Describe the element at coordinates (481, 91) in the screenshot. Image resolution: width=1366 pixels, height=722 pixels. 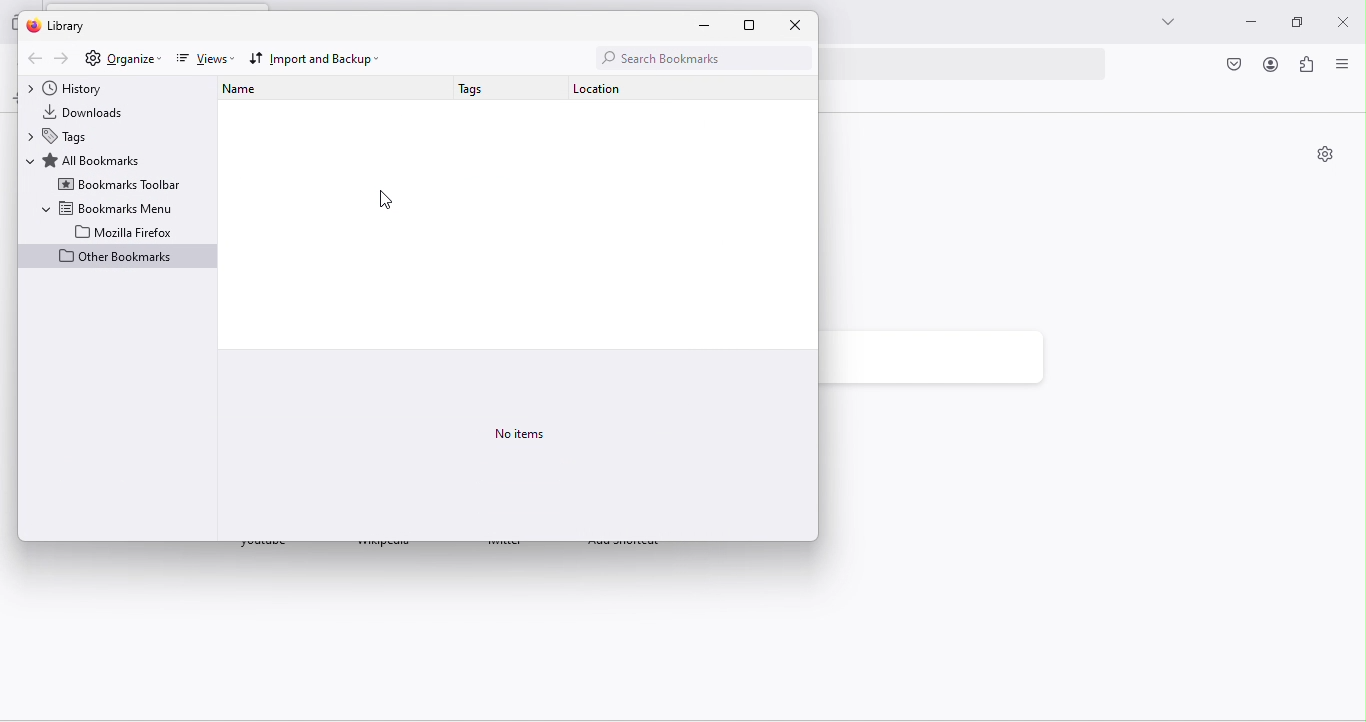
I see `tags` at that location.